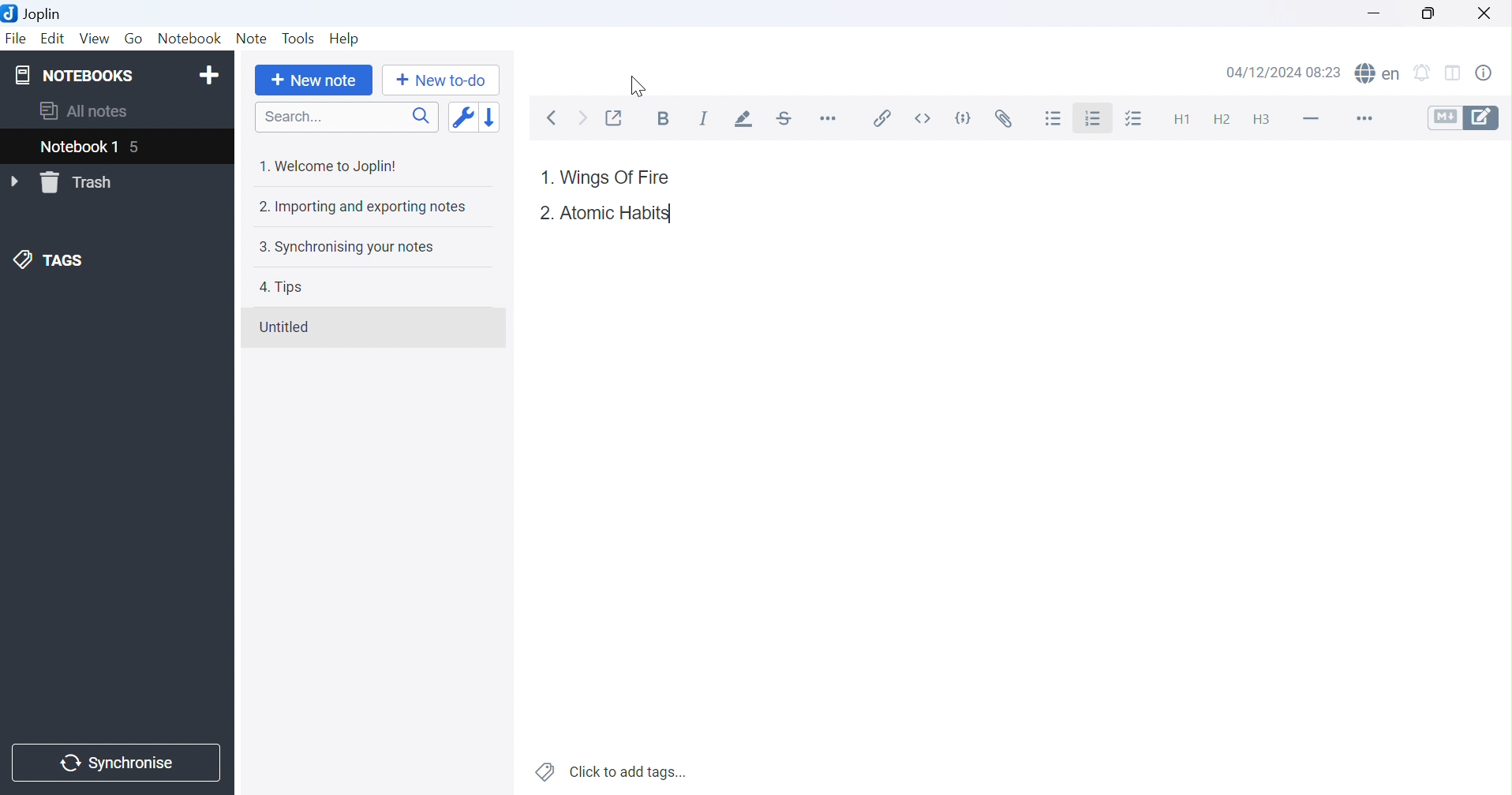  I want to click on Strikethrough, so click(788, 120).